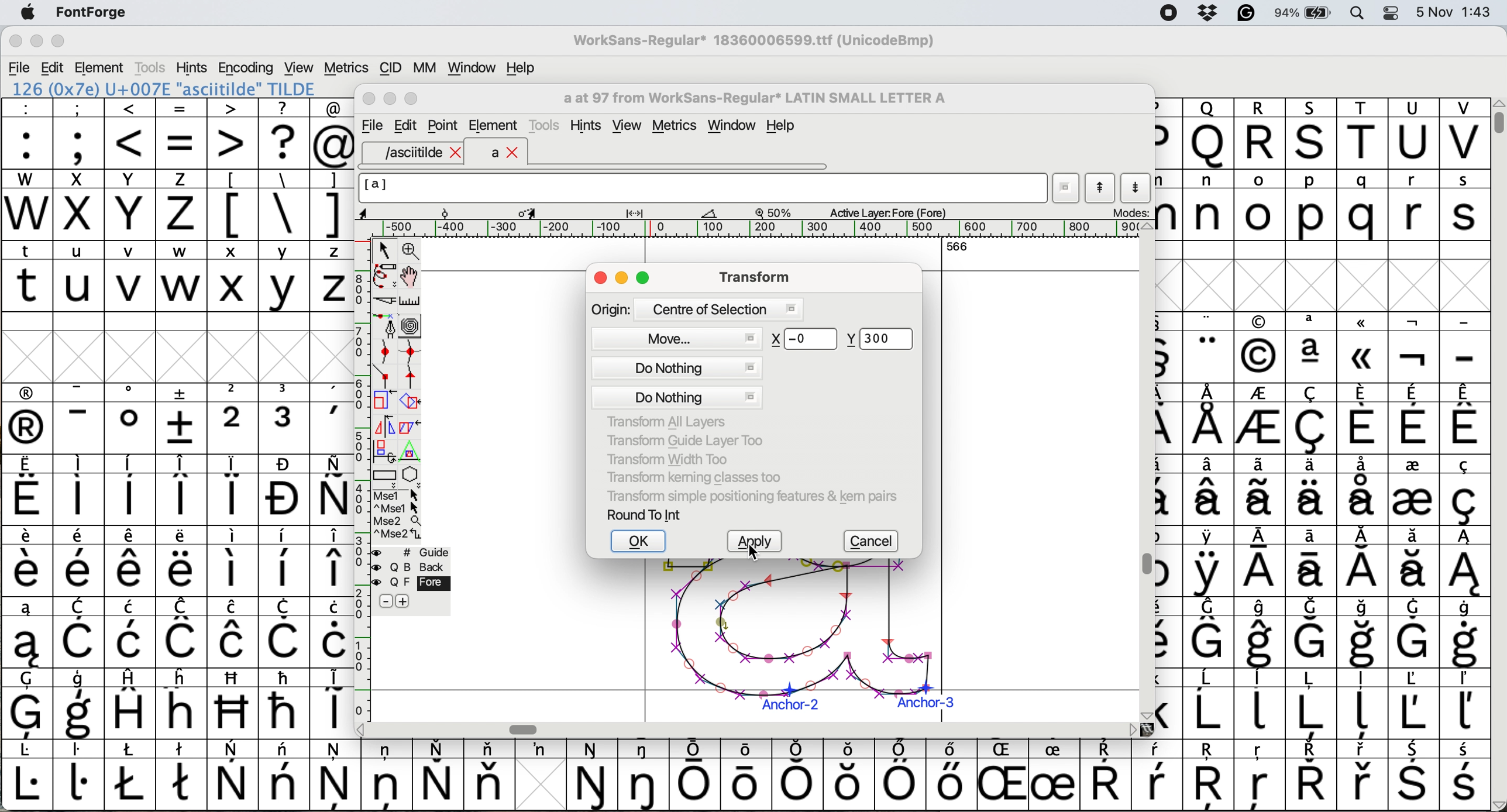 This screenshot has width=1507, height=812. I want to click on change whether spiro is active or not, so click(411, 325).